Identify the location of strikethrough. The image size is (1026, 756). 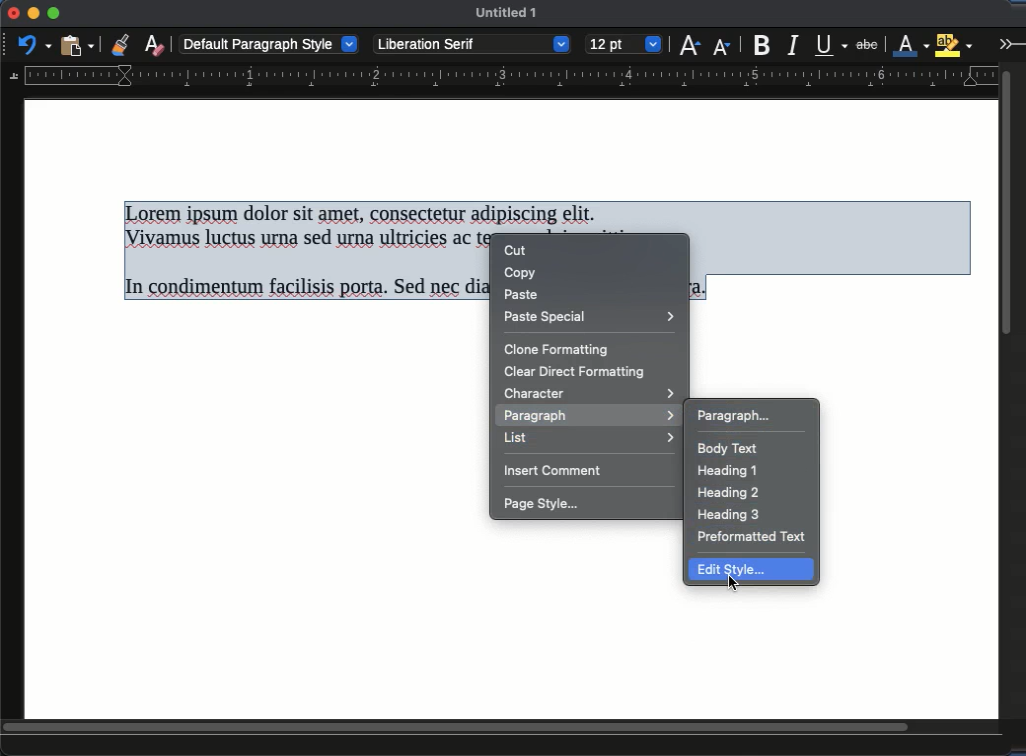
(867, 45).